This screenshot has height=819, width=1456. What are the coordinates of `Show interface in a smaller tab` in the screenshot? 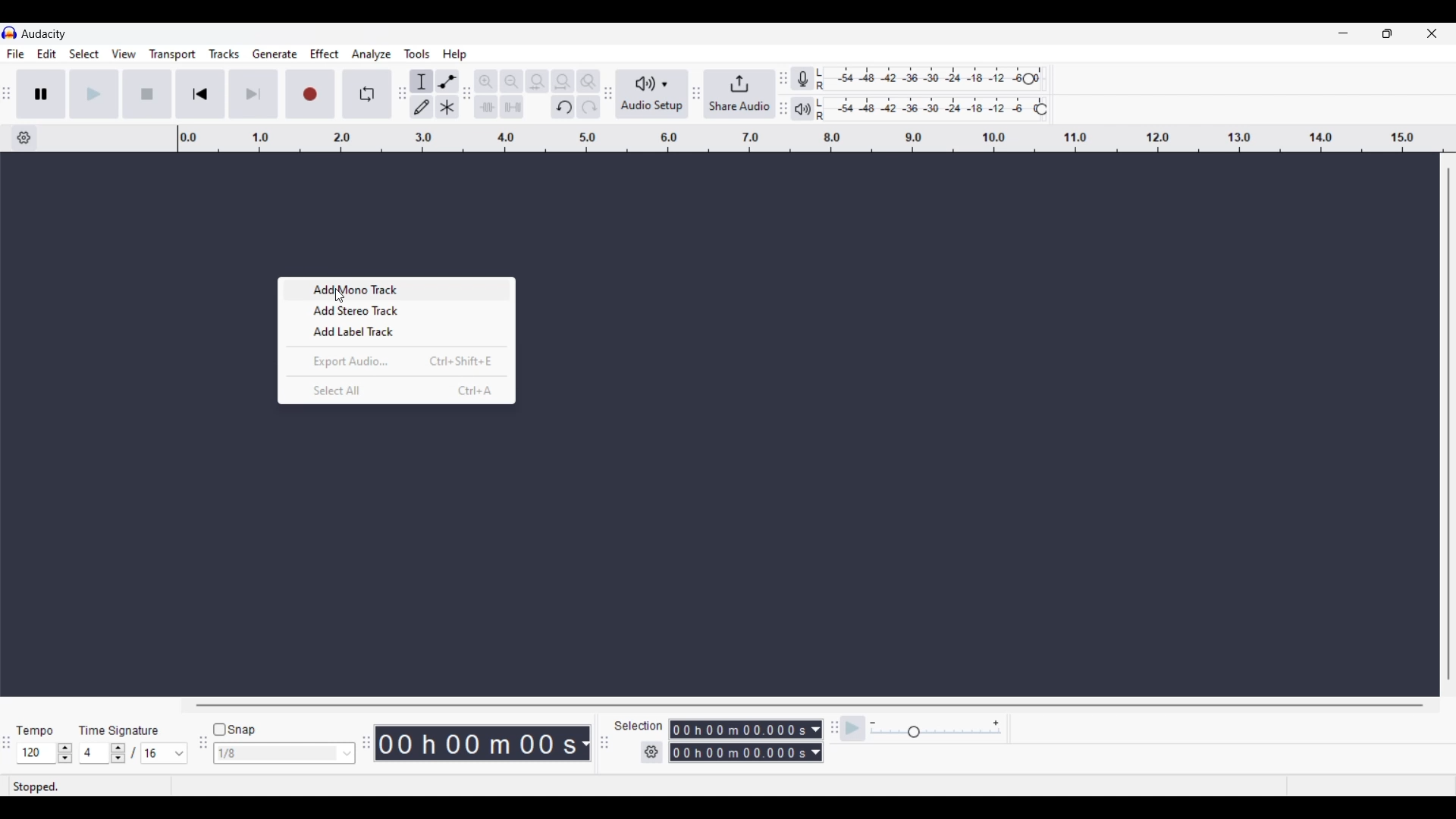 It's located at (1387, 33).